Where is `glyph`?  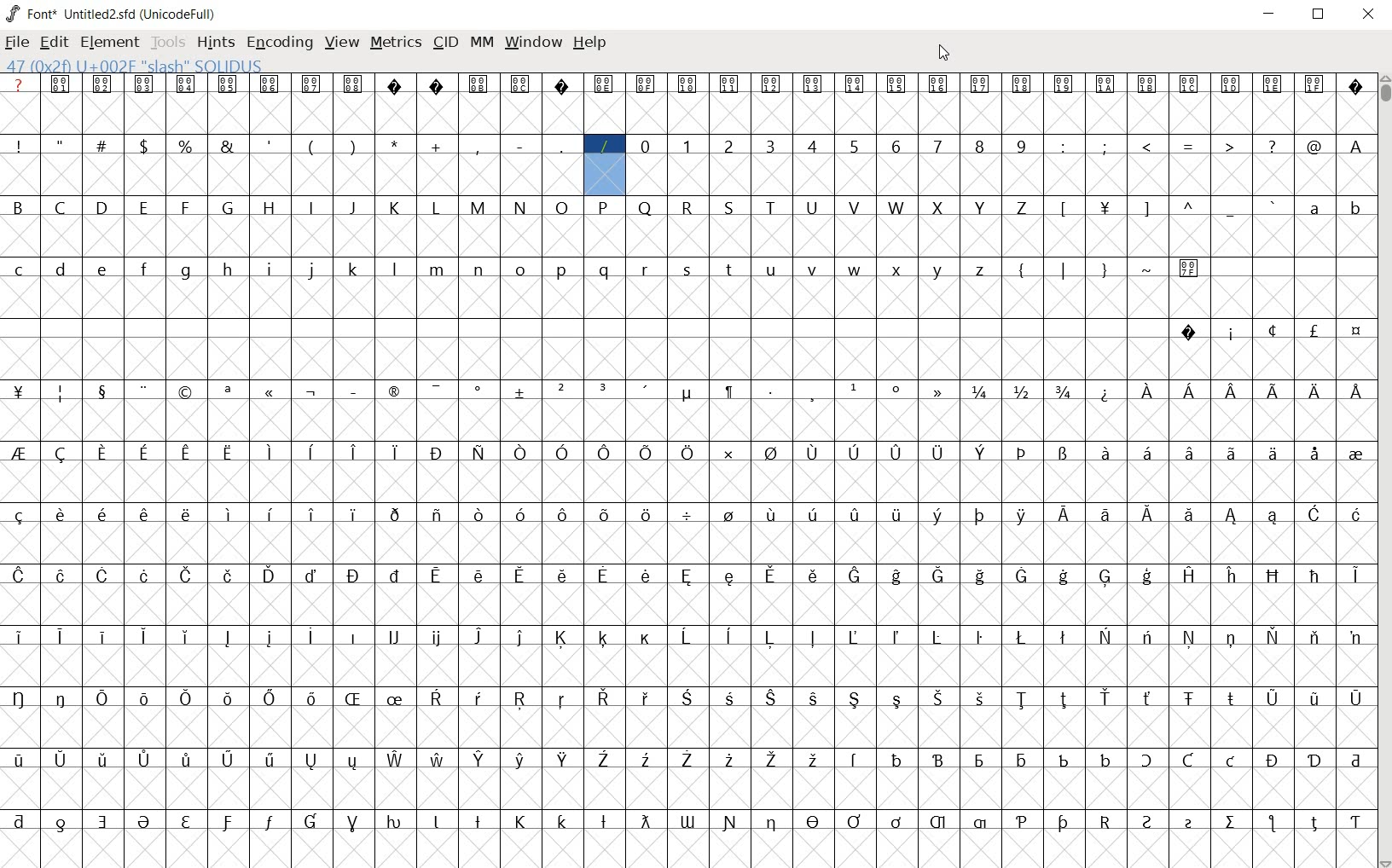
glyph is located at coordinates (772, 514).